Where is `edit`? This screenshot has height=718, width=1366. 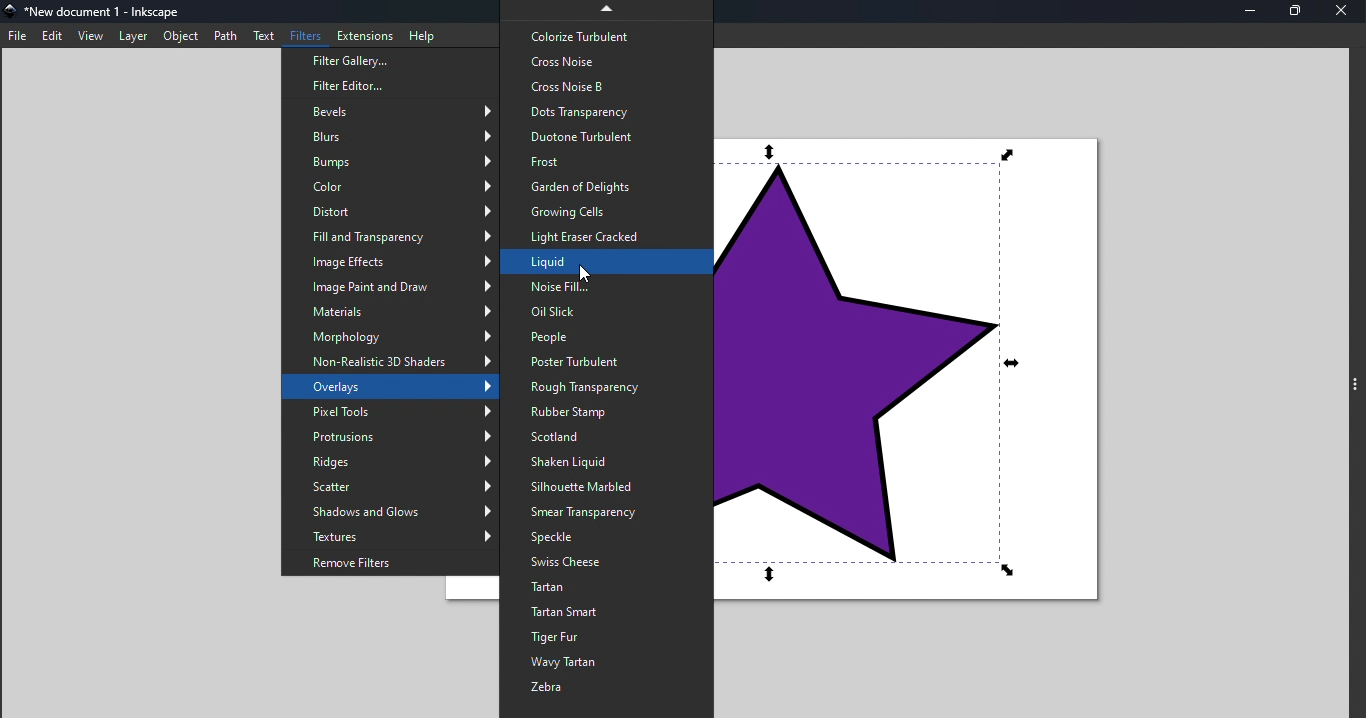
edit is located at coordinates (49, 35).